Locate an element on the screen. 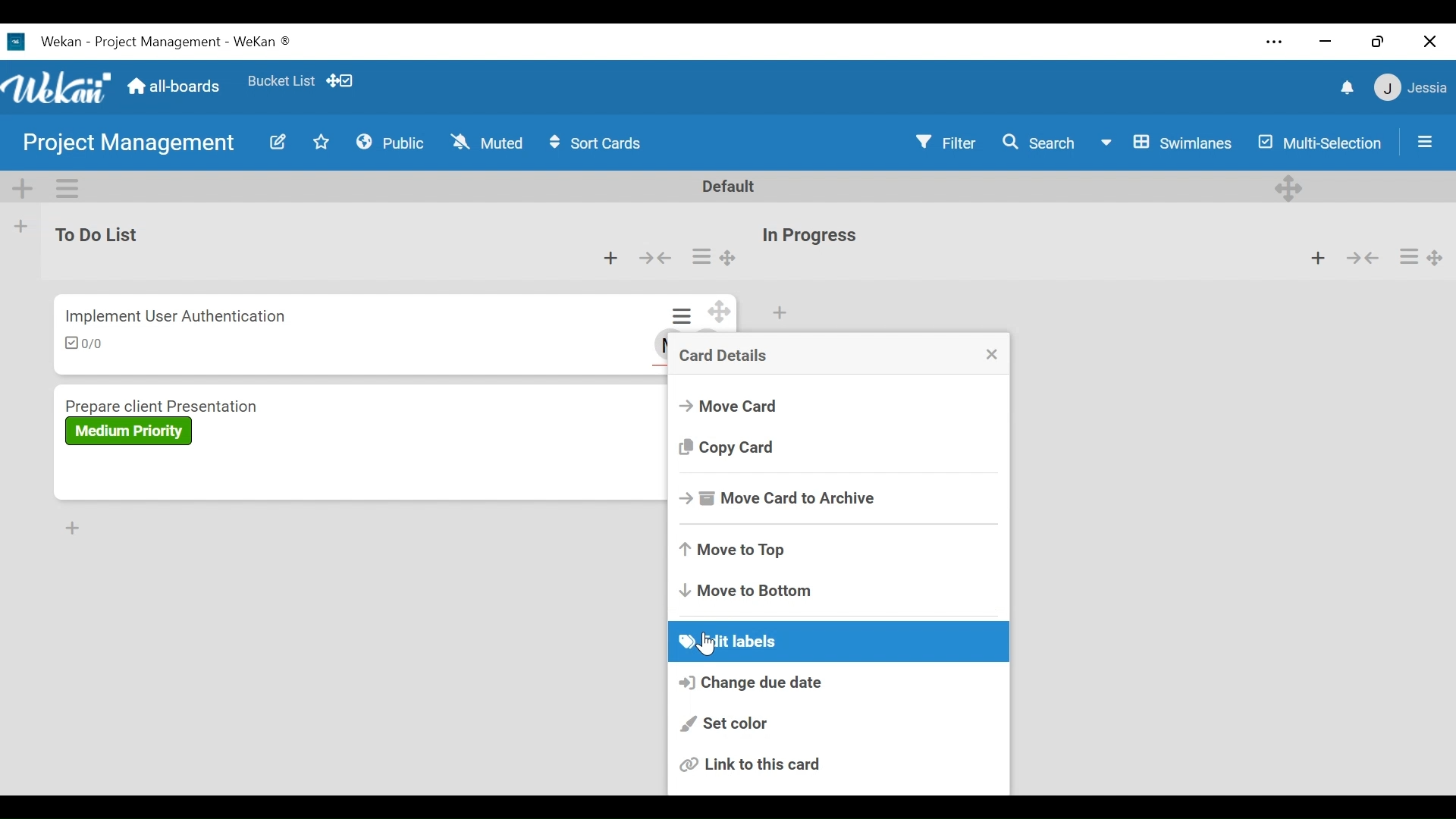  Add Swimlane is located at coordinates (22, 186).